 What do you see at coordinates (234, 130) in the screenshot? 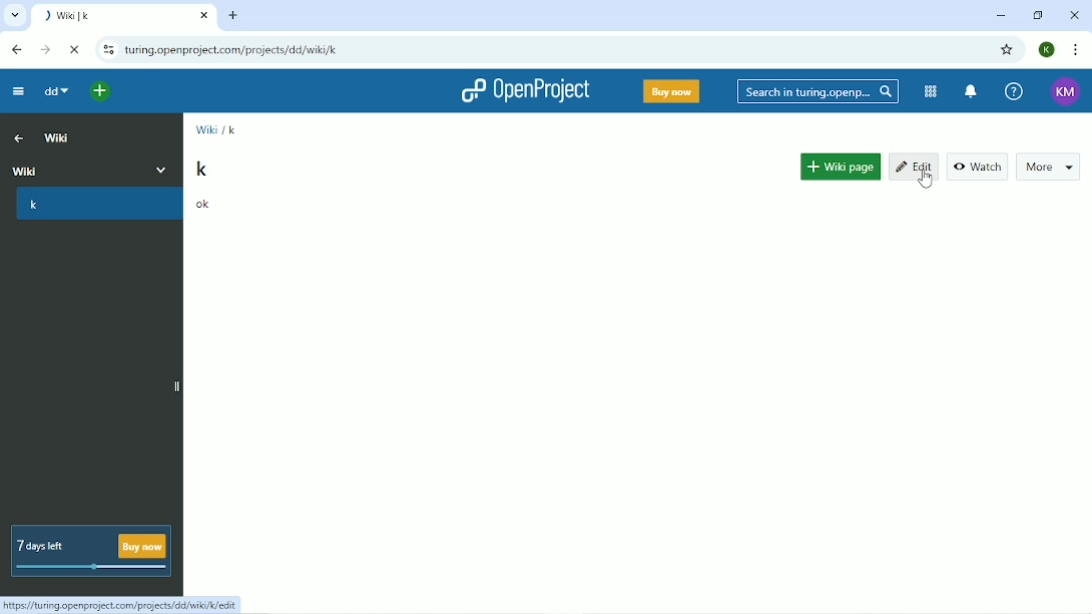
I see `k` at bounding box center [234, 130].